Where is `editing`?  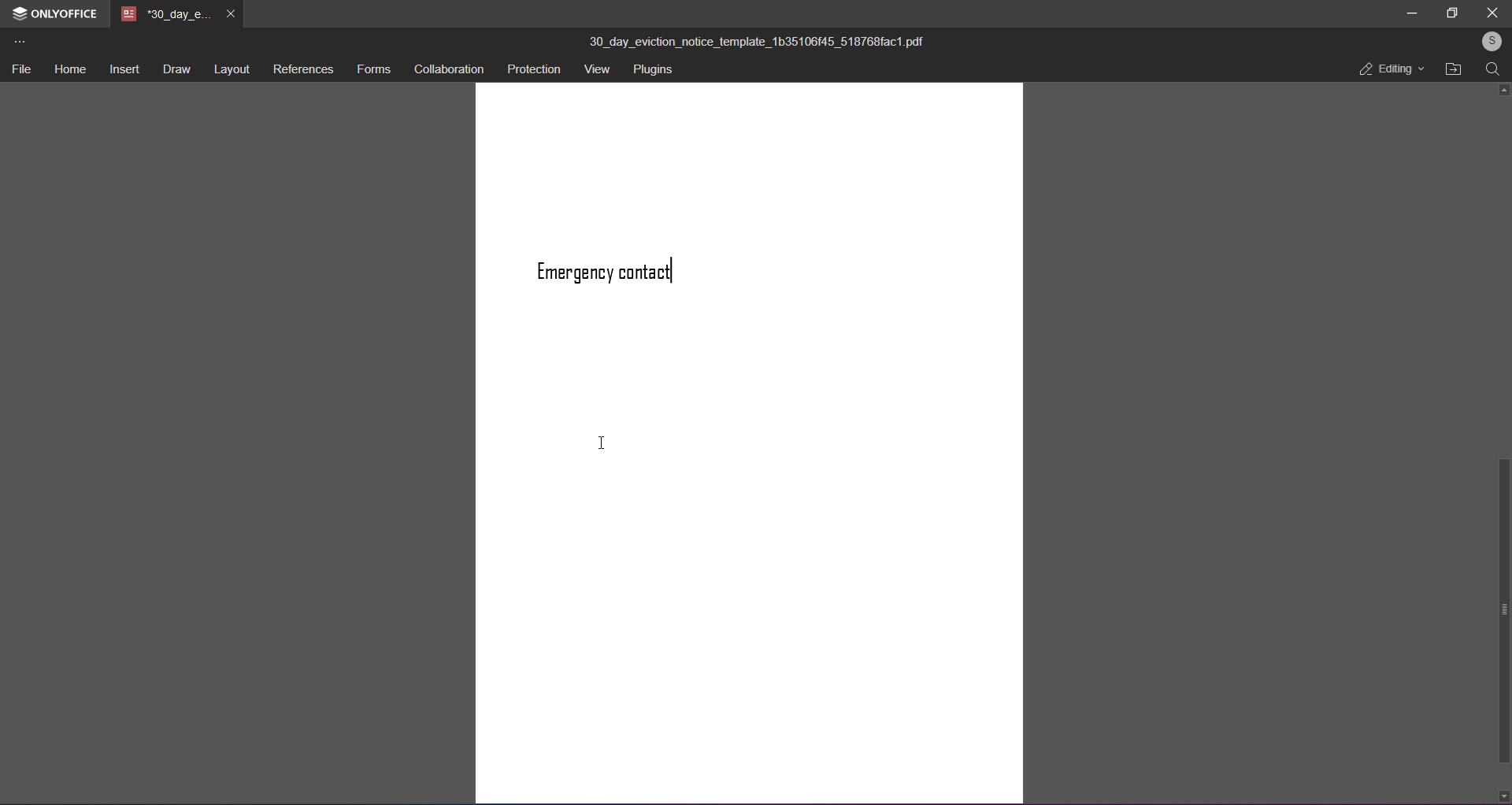 editing is located at coordinates (1388, 72).